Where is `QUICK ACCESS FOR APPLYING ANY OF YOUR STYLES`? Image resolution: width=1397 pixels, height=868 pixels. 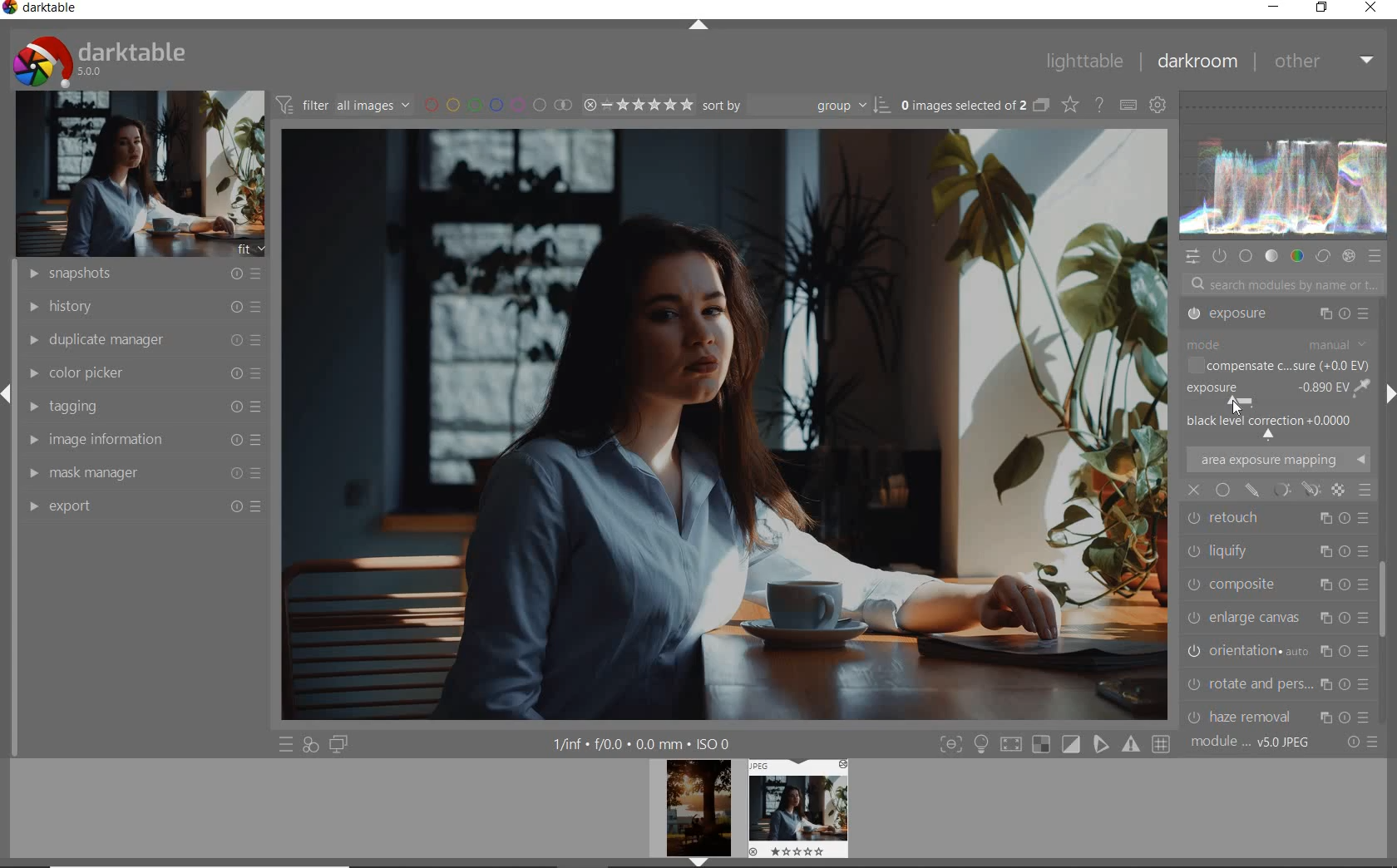
QUICK ACCESS FOR APPLYING ANY OF YOUR STYLES is located at coordinates (311, 745).